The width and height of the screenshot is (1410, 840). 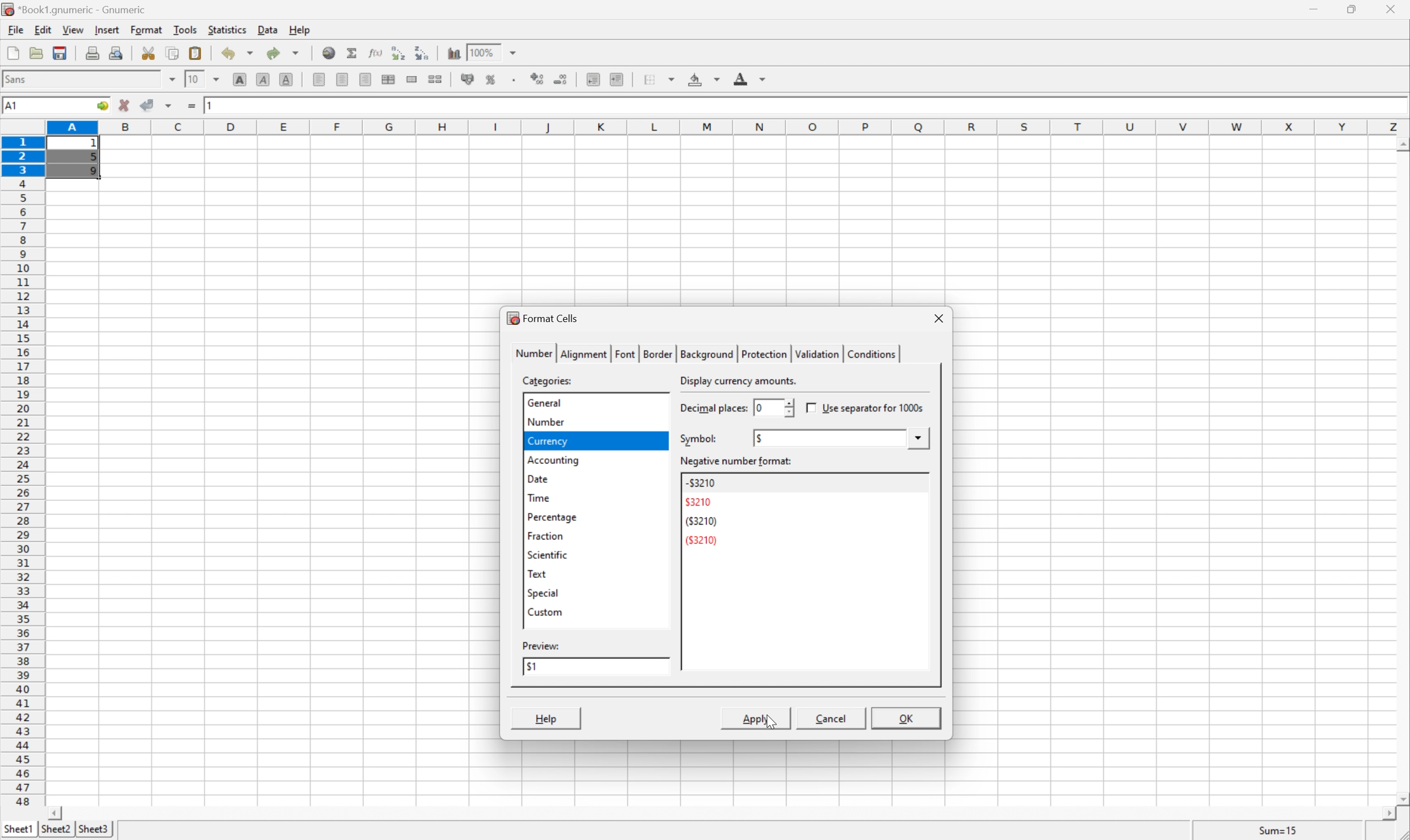 I want to click on file, so click(x=14, y=28).